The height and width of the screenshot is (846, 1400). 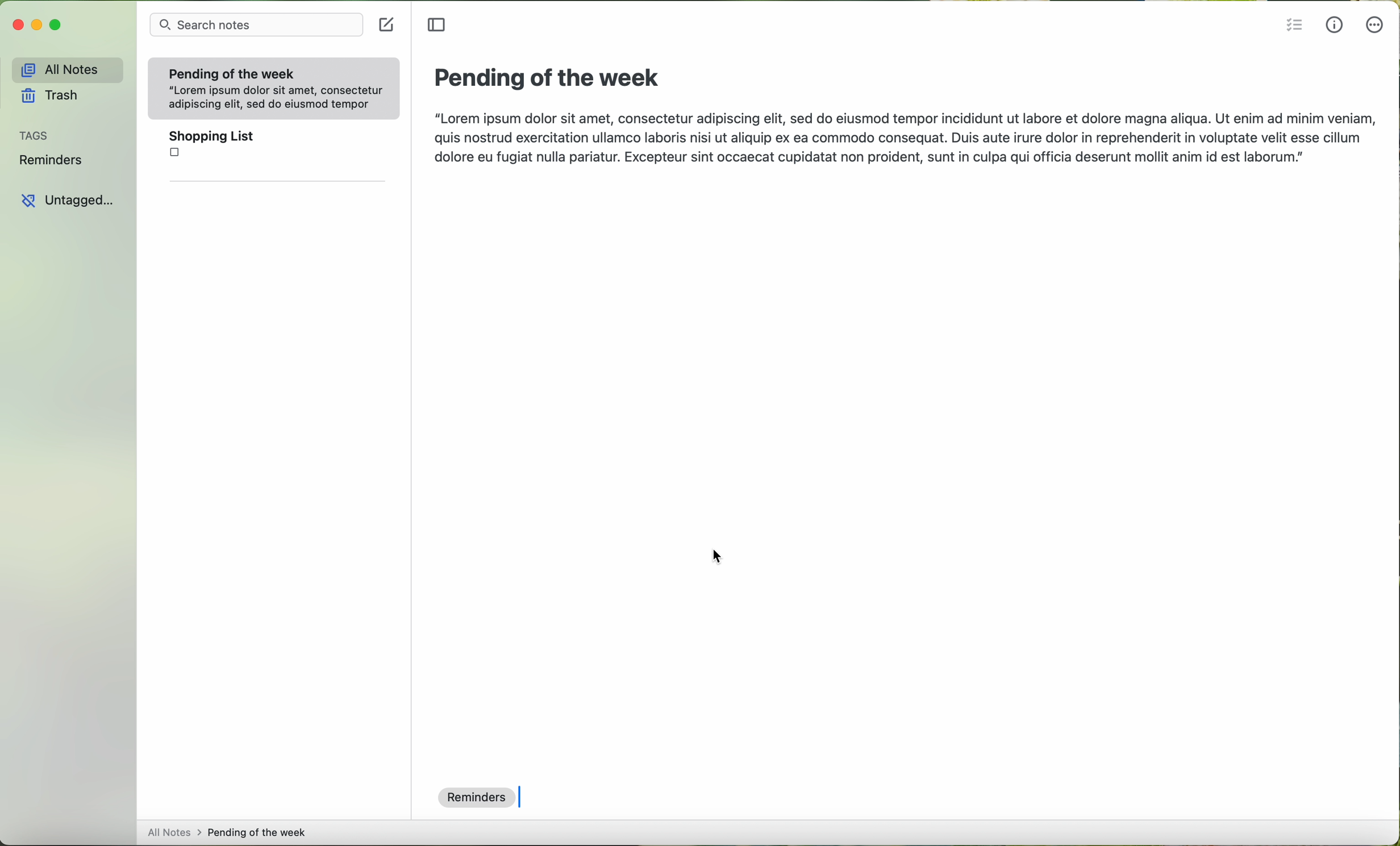 What do you see at coordinates (55, 25) in the screenshot?
I see `maximize program` at bounding box center [55, 25].